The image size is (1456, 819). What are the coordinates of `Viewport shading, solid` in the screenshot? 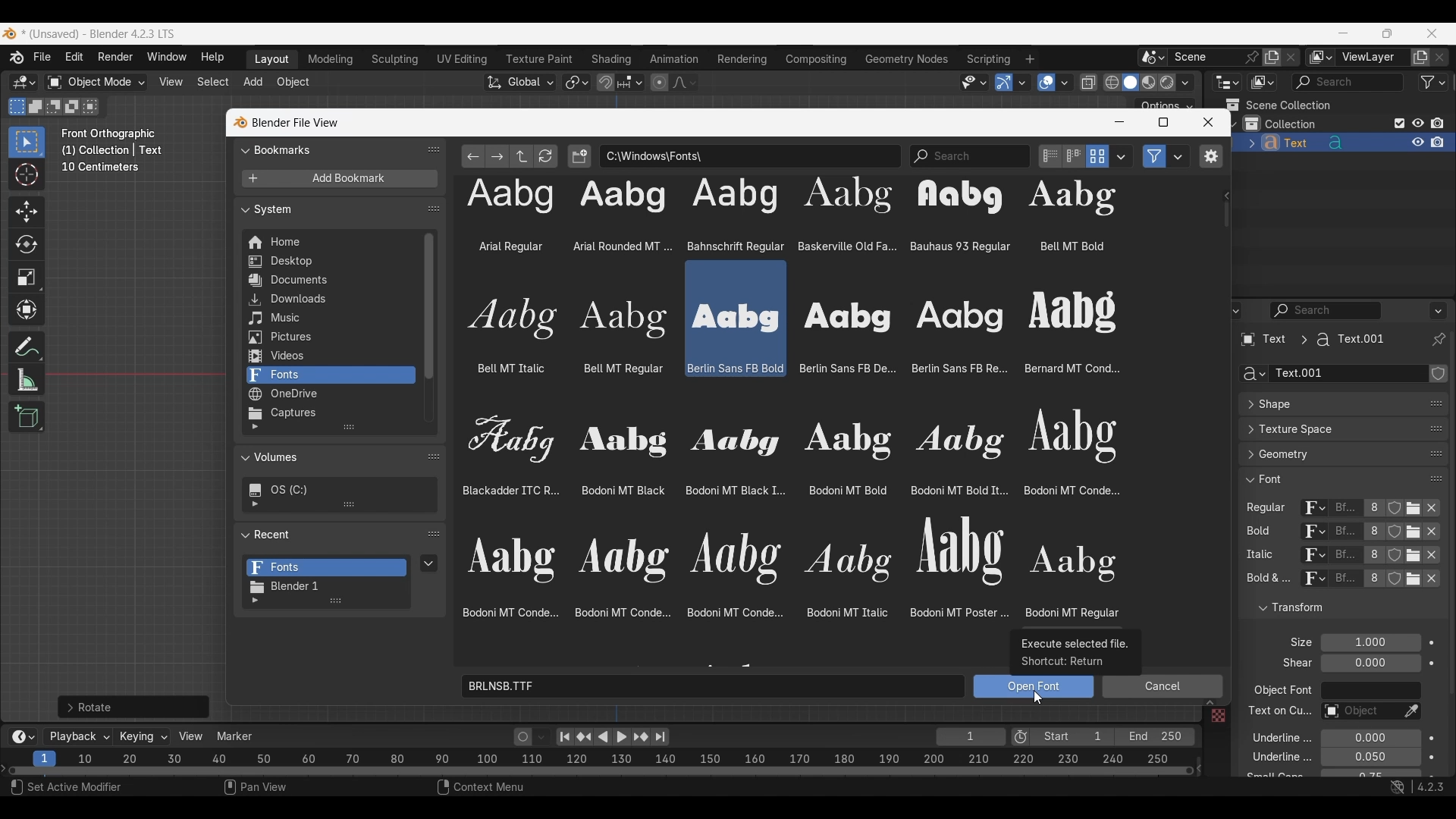 It's located at (1130, 83).